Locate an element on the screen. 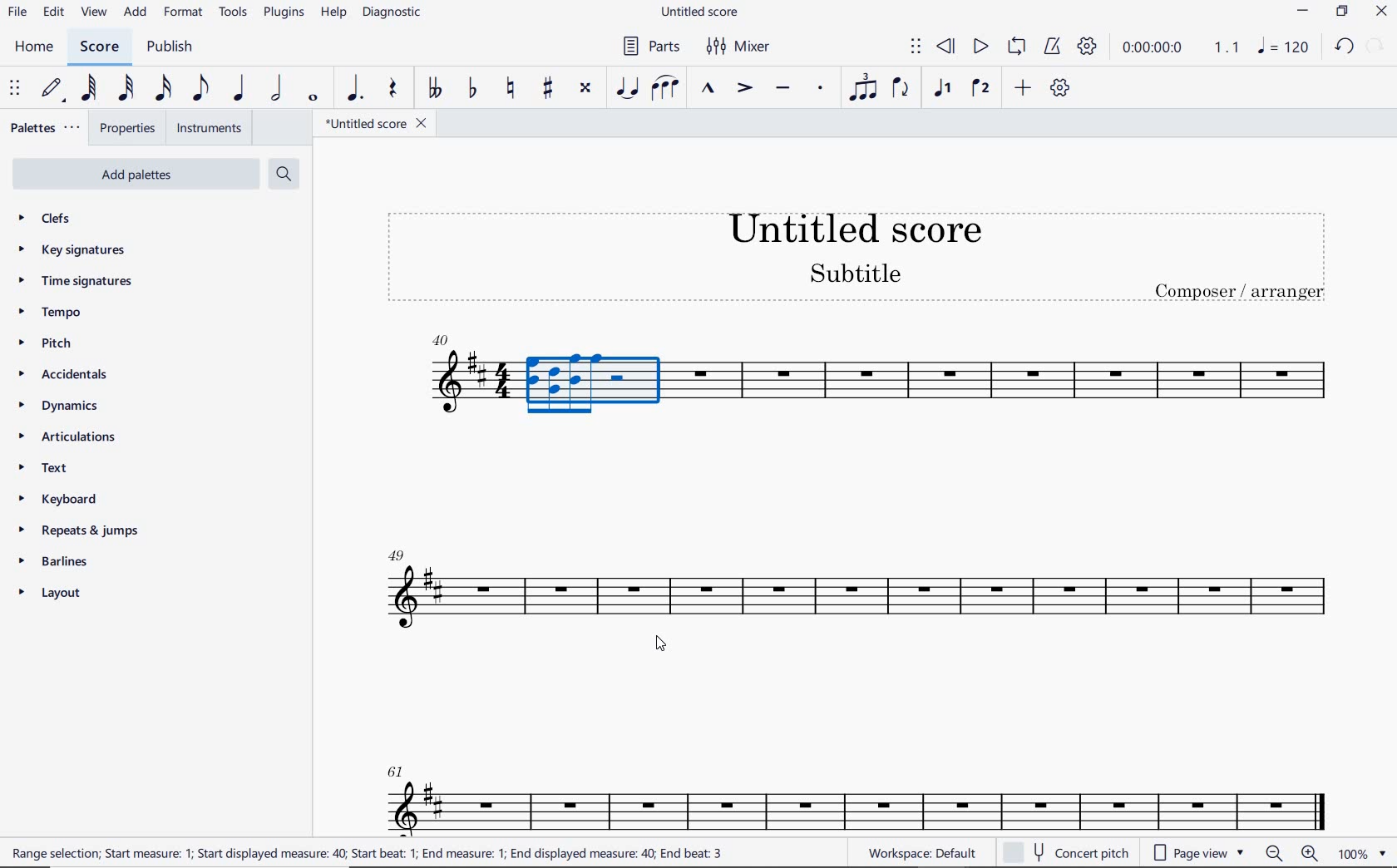 The height and width of the screenshot is (868, 1397). MIXER is located at coordinates (739, 47).